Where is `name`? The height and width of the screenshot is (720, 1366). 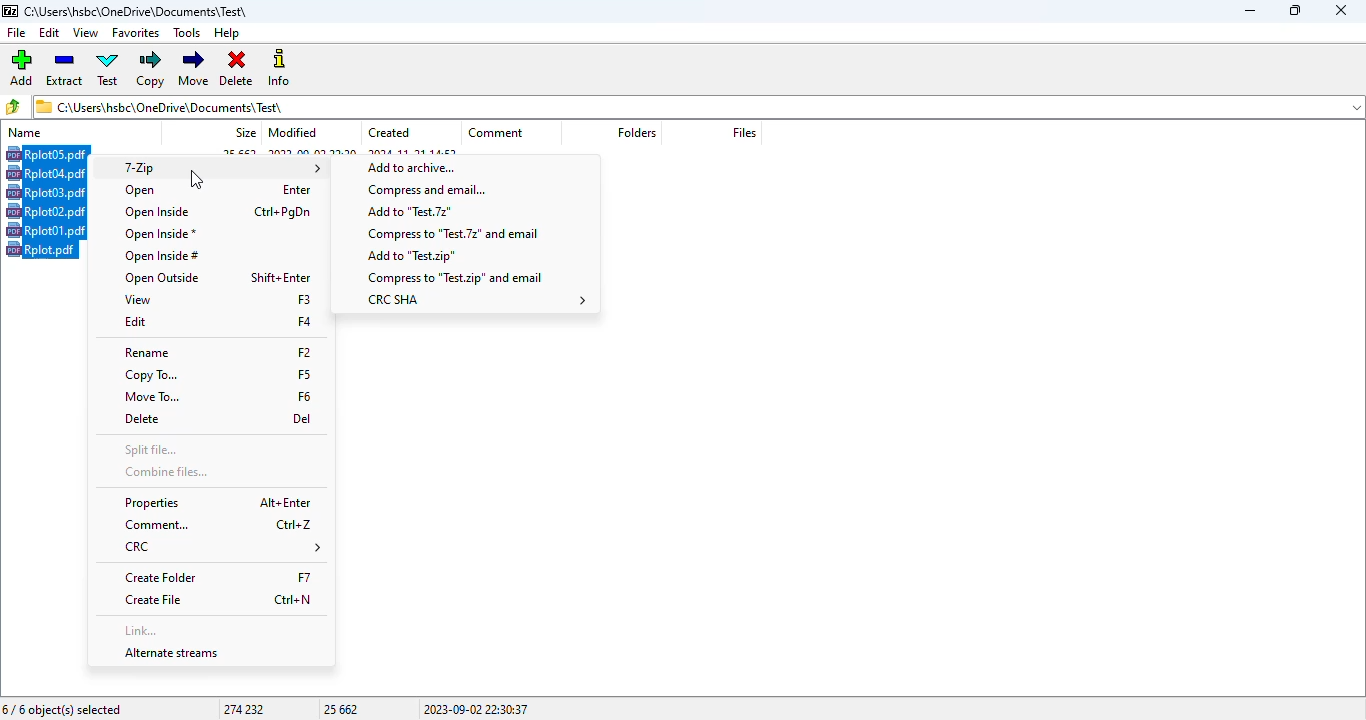 name is located at coordinates (25, 132).